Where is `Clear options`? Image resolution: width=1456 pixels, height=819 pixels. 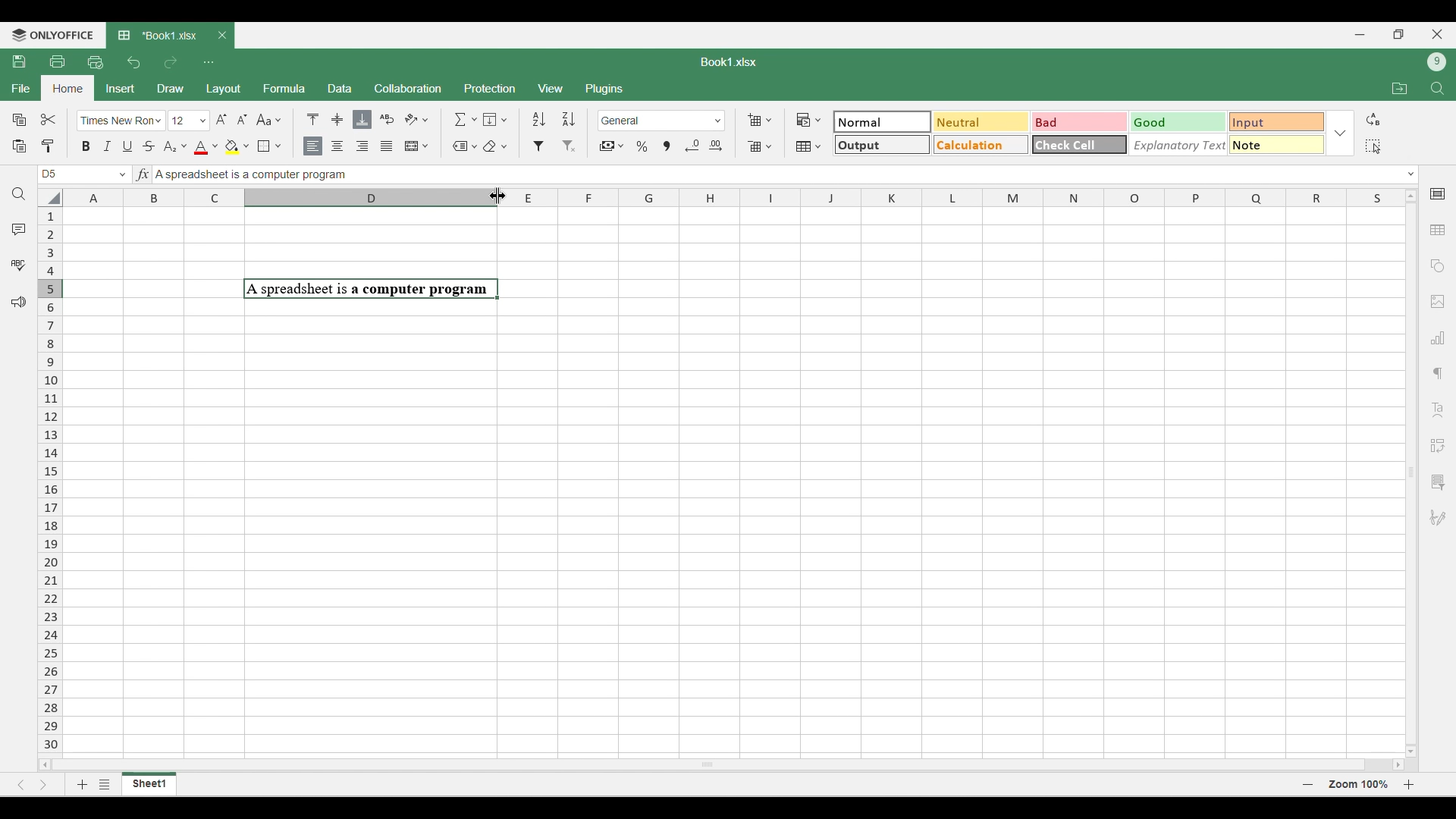 Clear options is located at coordinates (494, 146).